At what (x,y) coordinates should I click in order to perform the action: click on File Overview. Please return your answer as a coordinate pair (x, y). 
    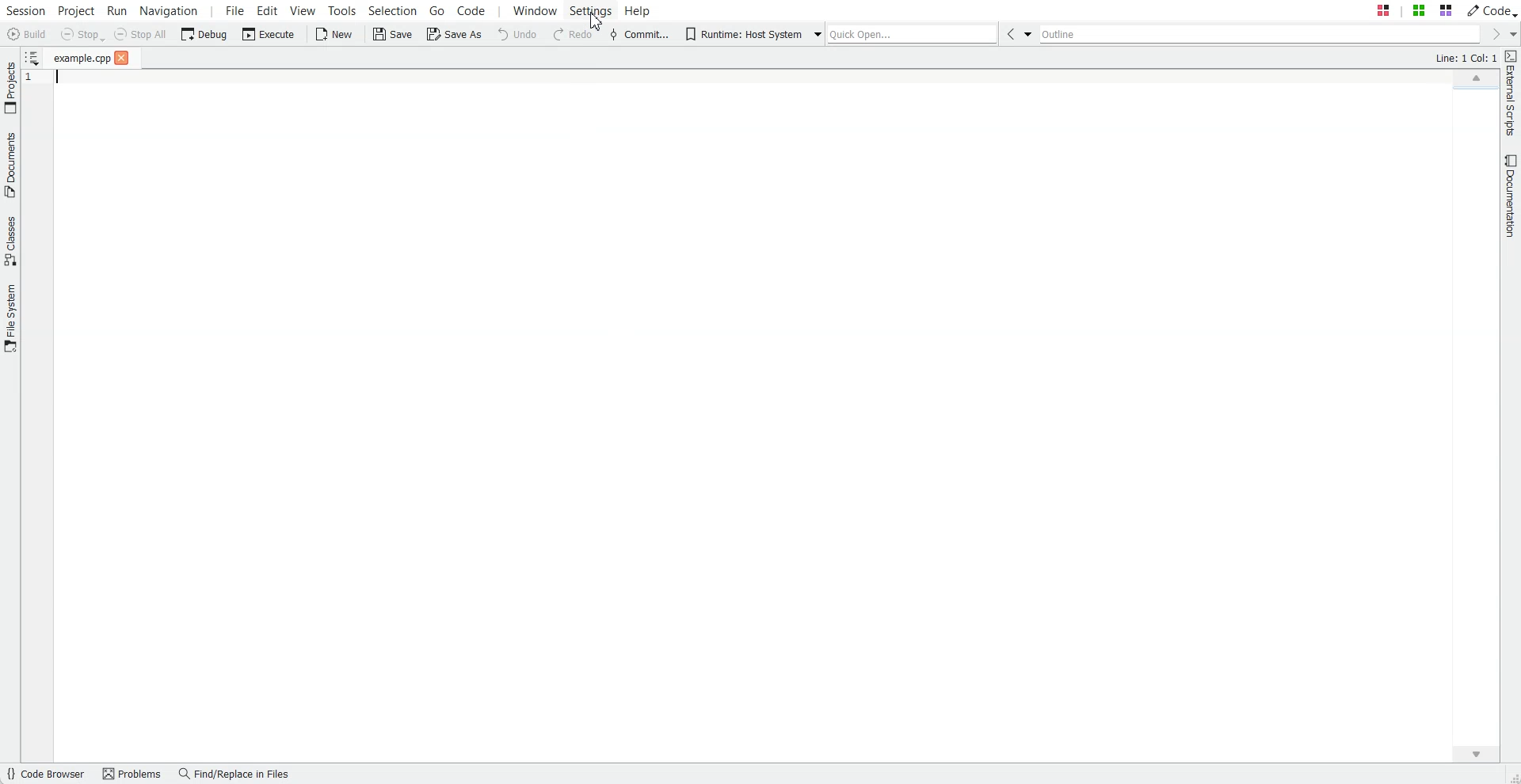
    Looking at the image, I should click on (1473, 91).